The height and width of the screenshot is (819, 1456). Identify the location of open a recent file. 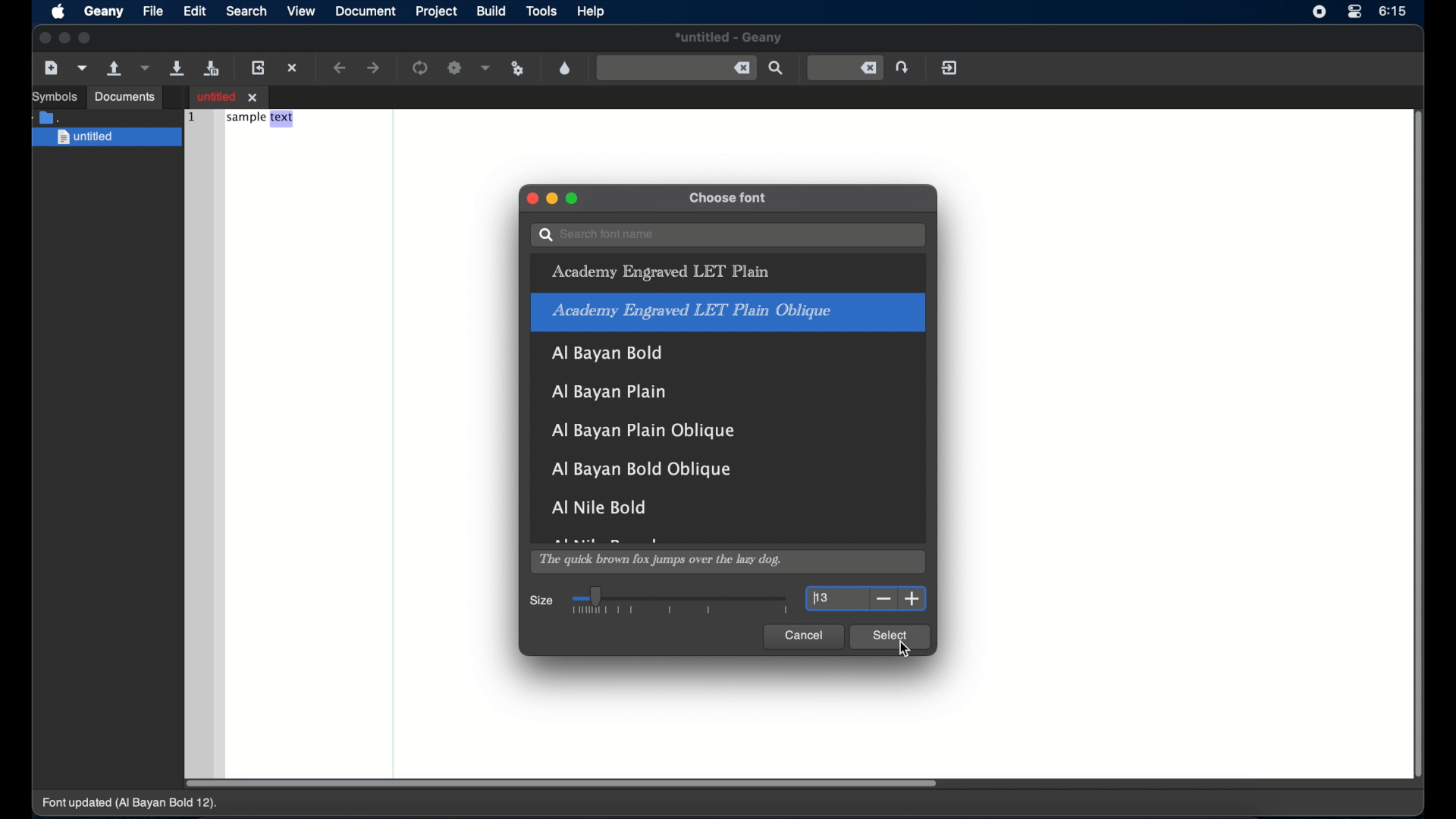
(146, 67).